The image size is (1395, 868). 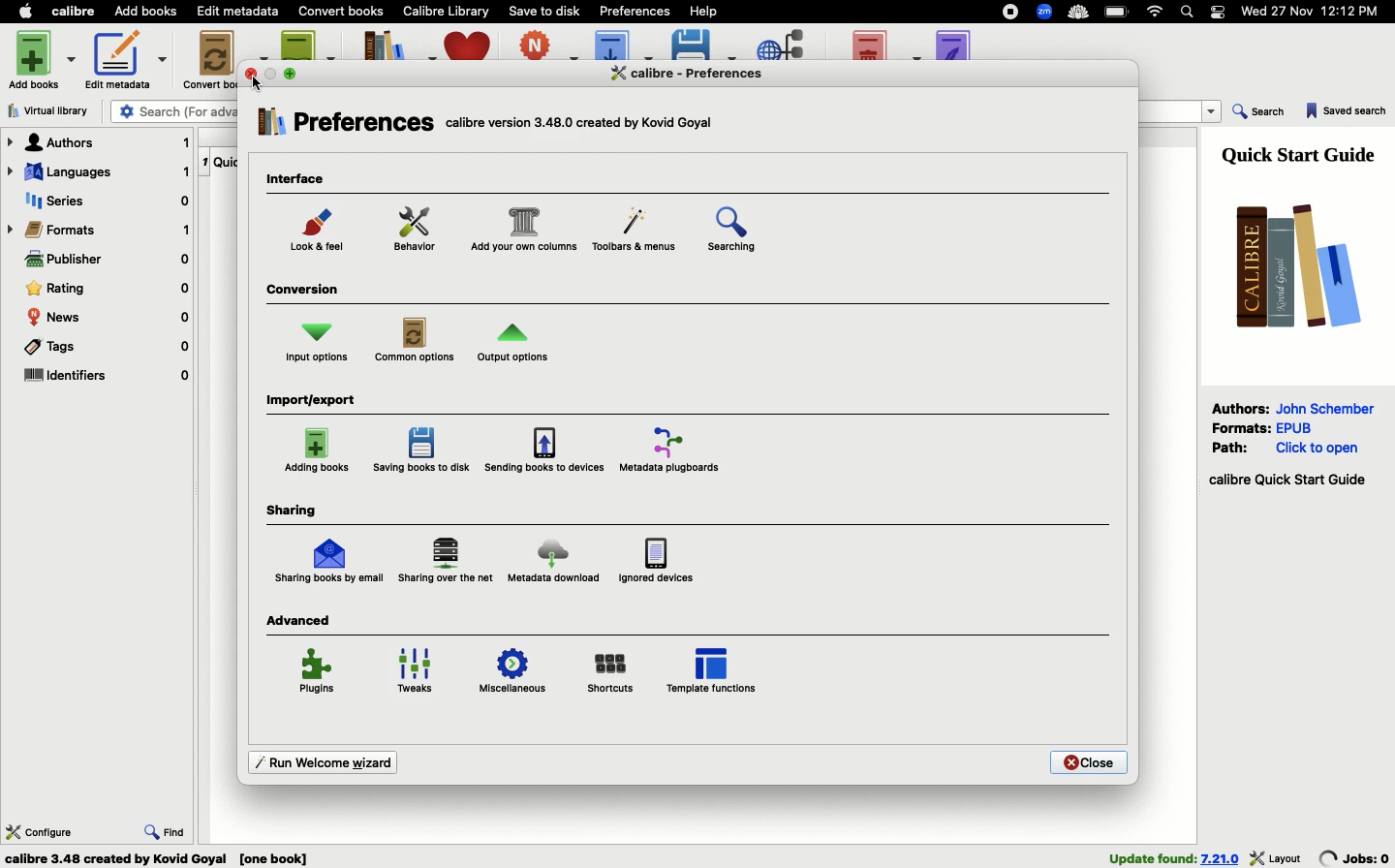 I want to click on Edit metadata, so click(x=239, y=12).